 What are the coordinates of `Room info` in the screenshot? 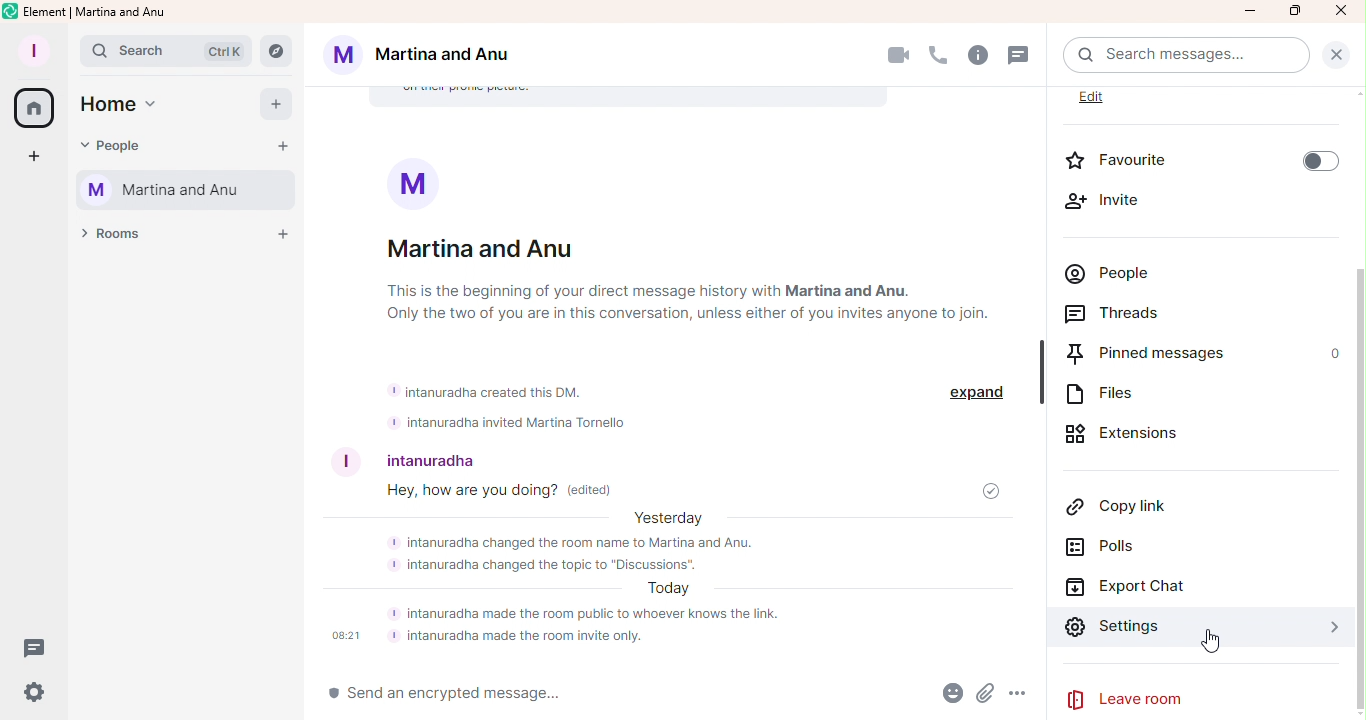 It's located at (981, 55).